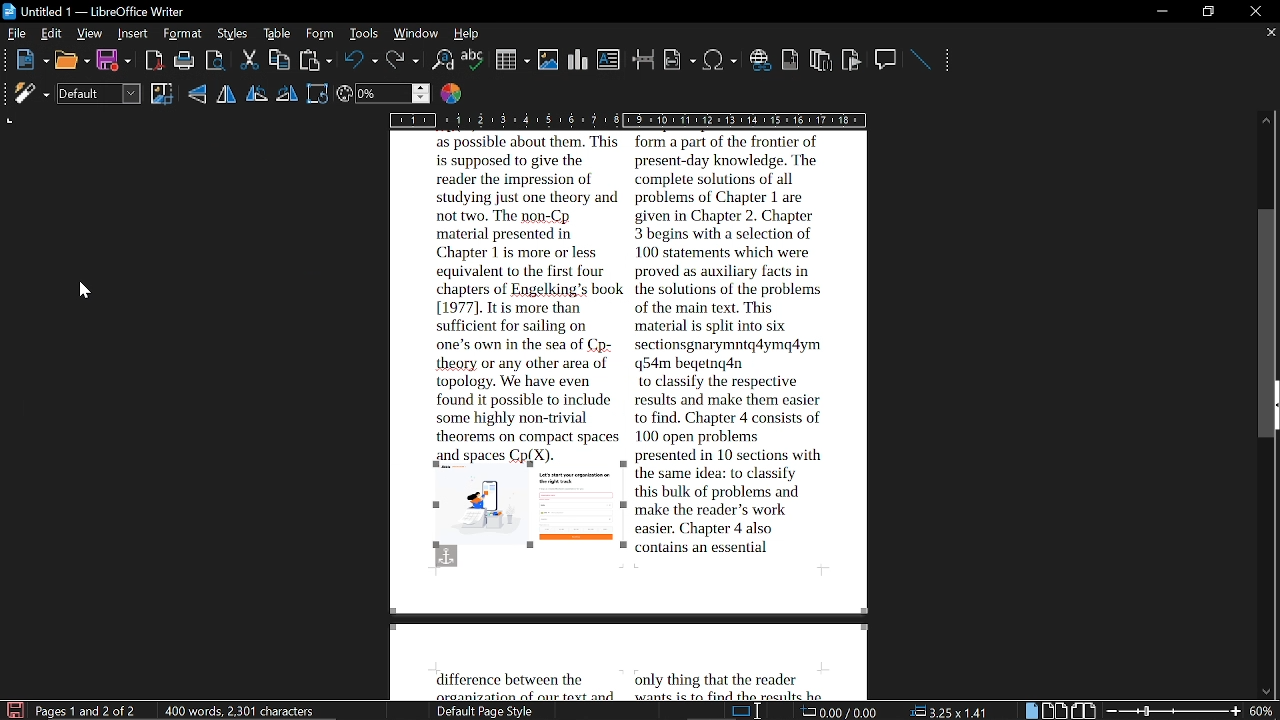 The image size is (1280, 720). What do you see at coordinates (473, 60) in the screenshot?
I see `spell check` at bounding box center [473, 60].